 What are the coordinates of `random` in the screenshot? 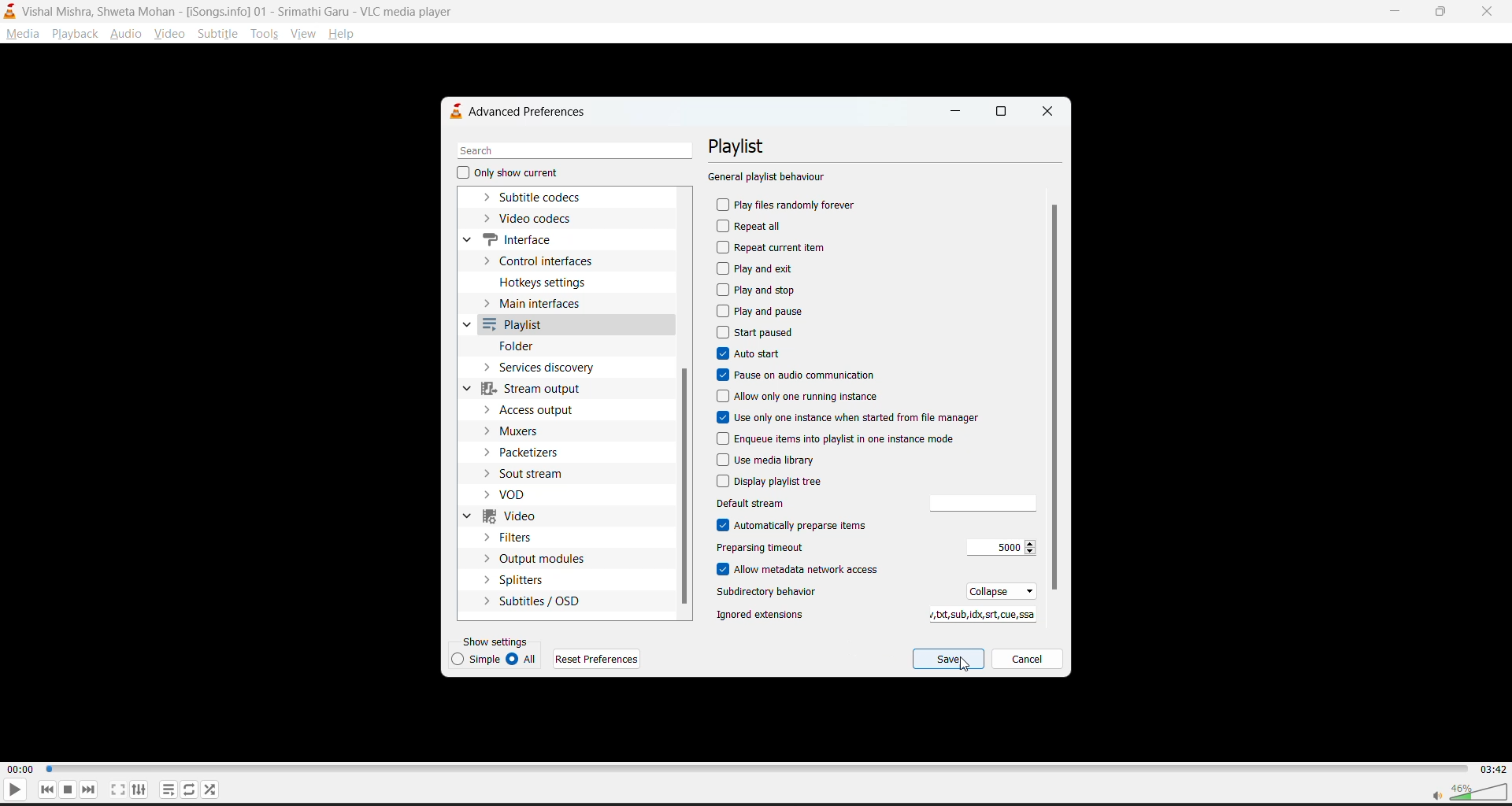 It's located at (209, 787).